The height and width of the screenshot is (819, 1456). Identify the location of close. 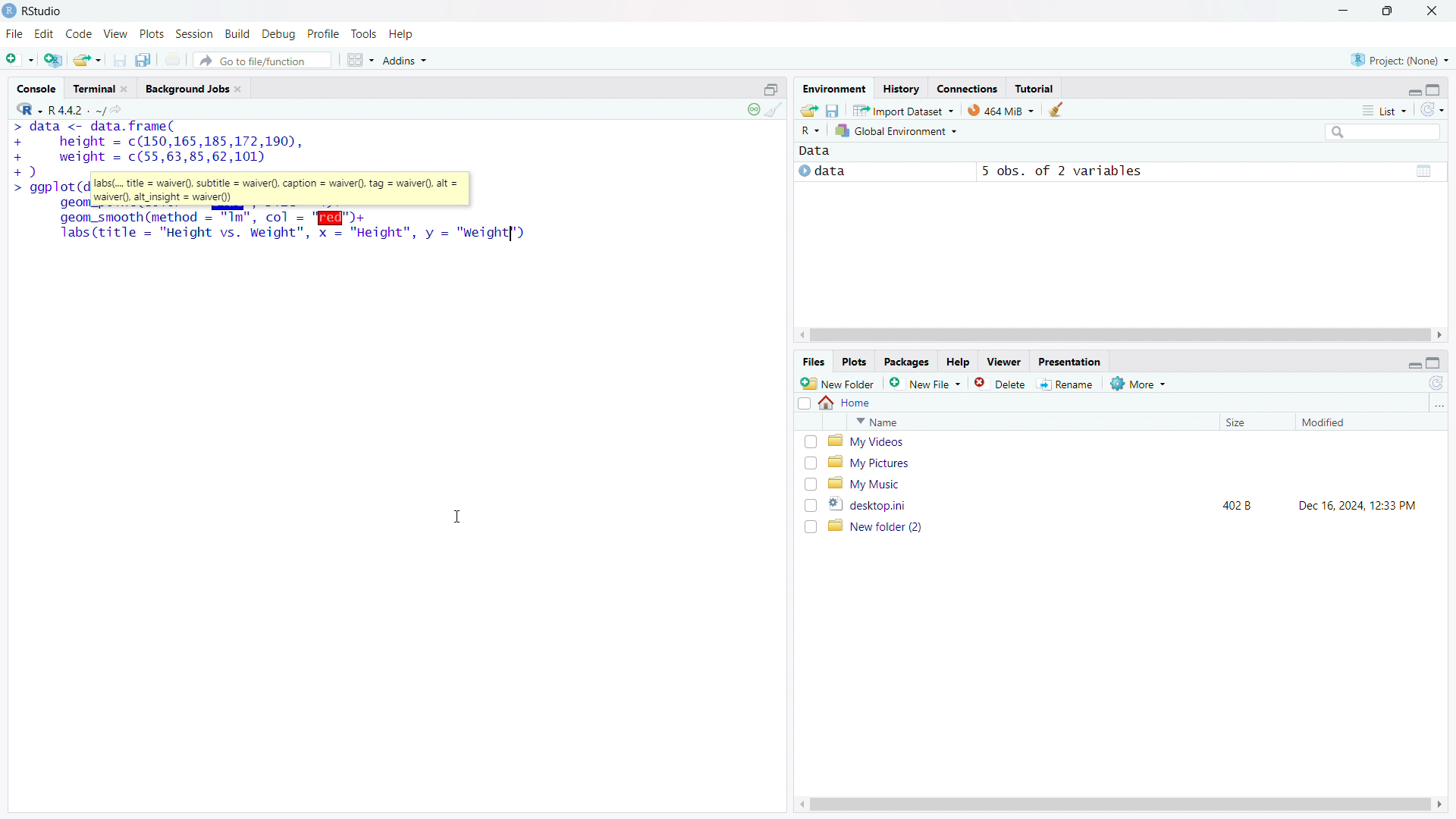
(124, 89).